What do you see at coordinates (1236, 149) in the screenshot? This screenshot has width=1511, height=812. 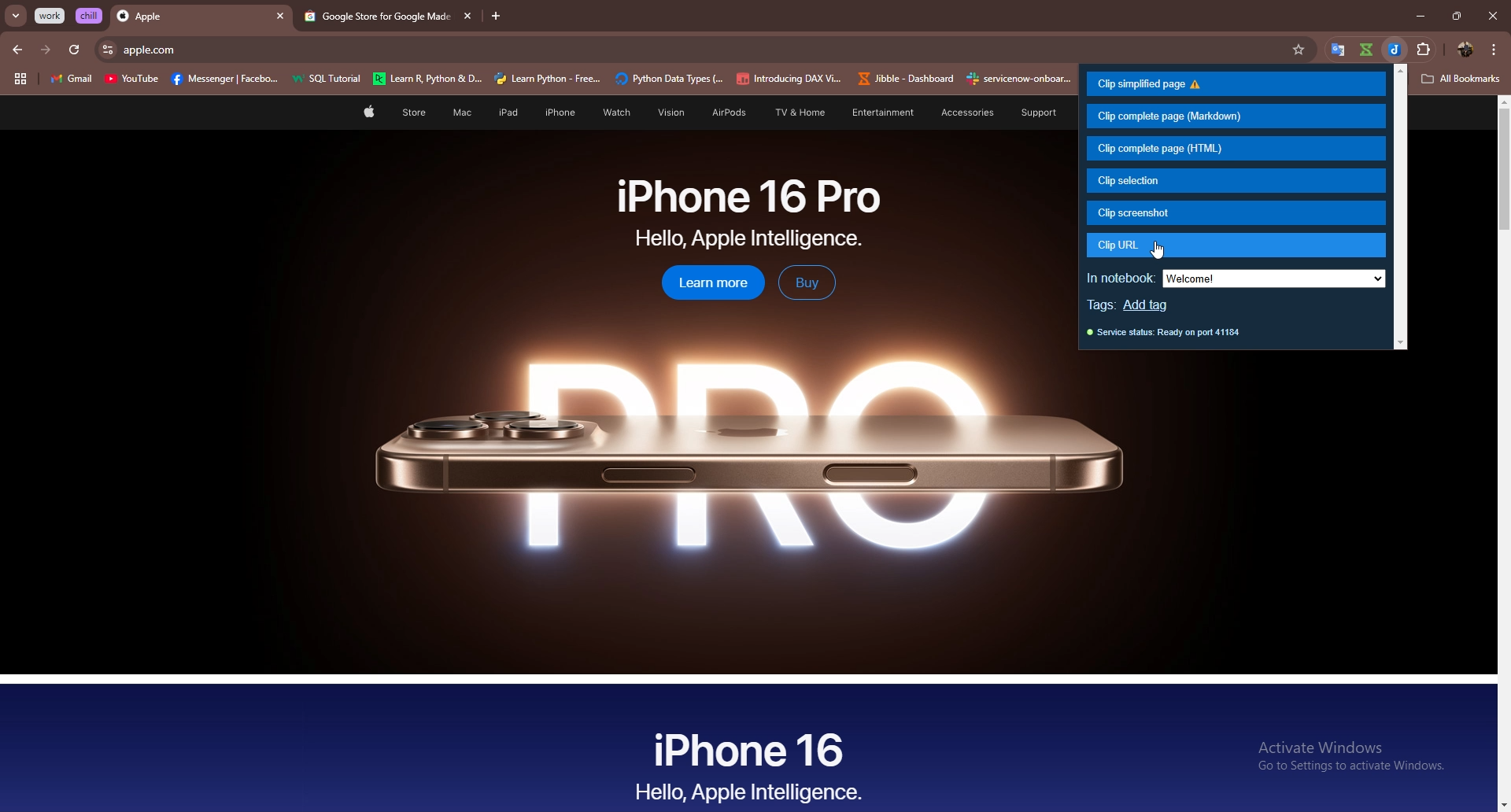 I see `clip complete page (html)` at bounding box center [1236, 149].